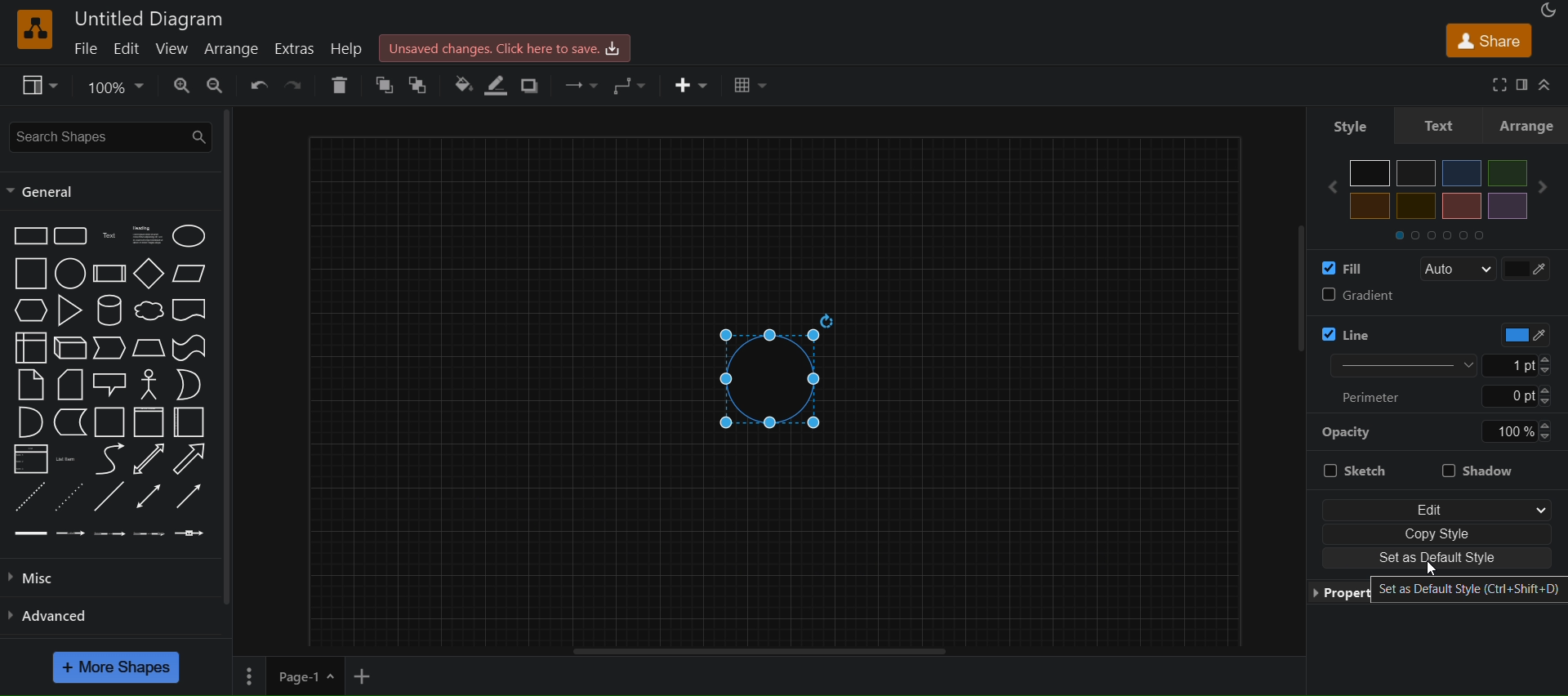 Image resolution: width=1568 pixels, height=696 pixels. What do you see at coordinates (68, 275) in the screenshot?
I see `circle` at bounding box center [68, 275].